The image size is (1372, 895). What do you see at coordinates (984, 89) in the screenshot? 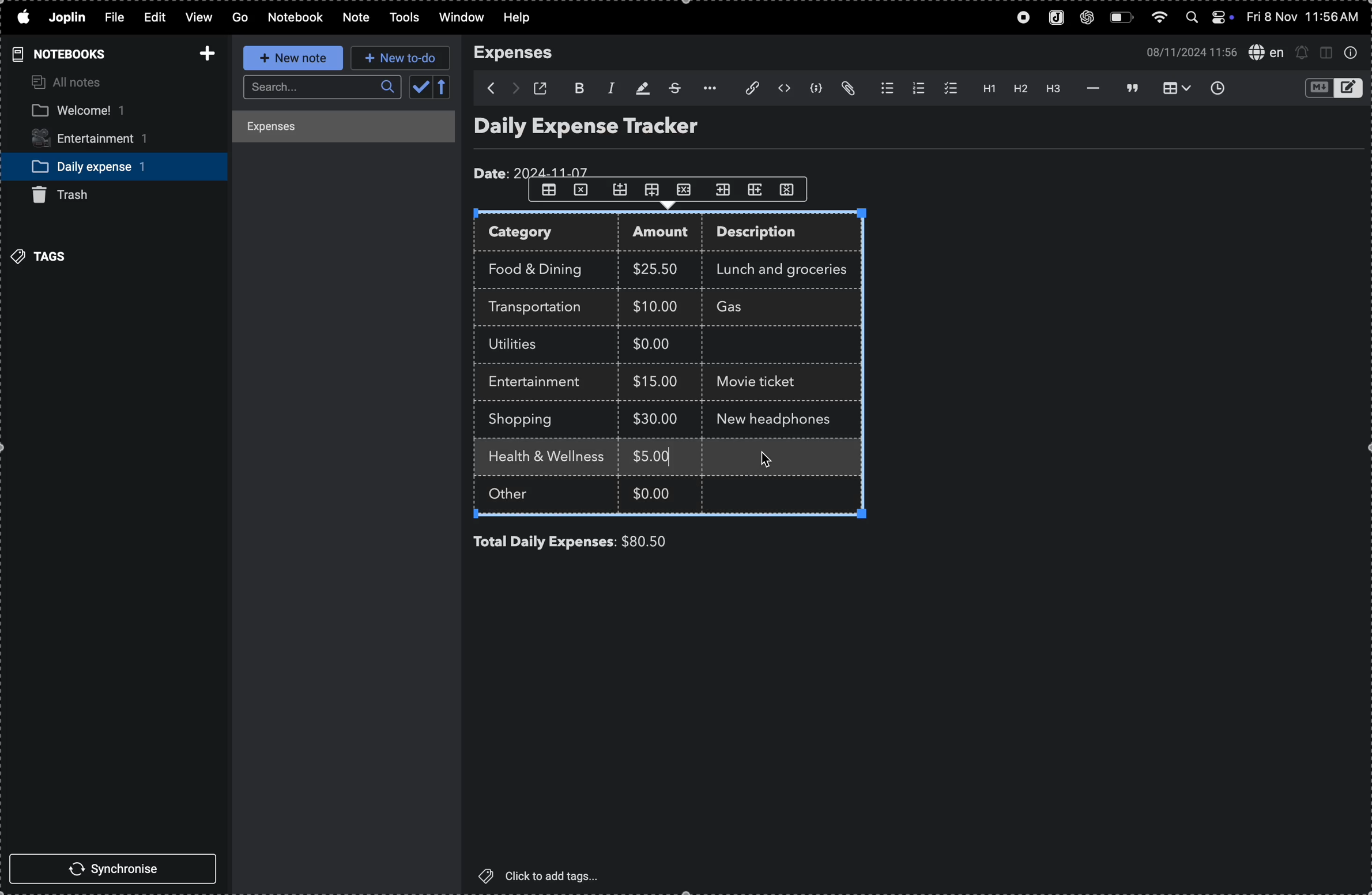
I see `heading 1` at bounding box center [984, 89].